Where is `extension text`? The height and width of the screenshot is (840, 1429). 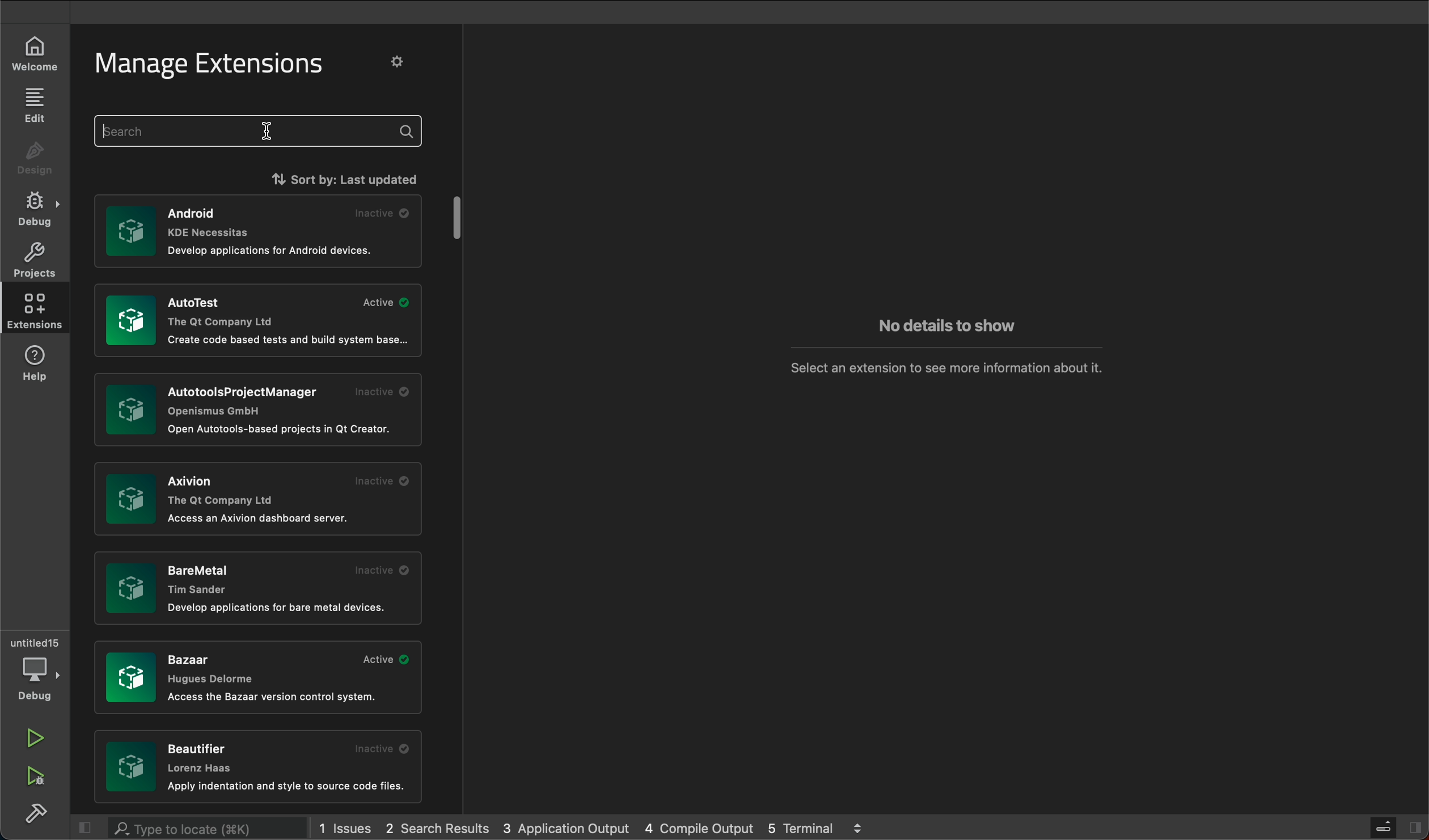 extension text is located at coordinates (202, 757).